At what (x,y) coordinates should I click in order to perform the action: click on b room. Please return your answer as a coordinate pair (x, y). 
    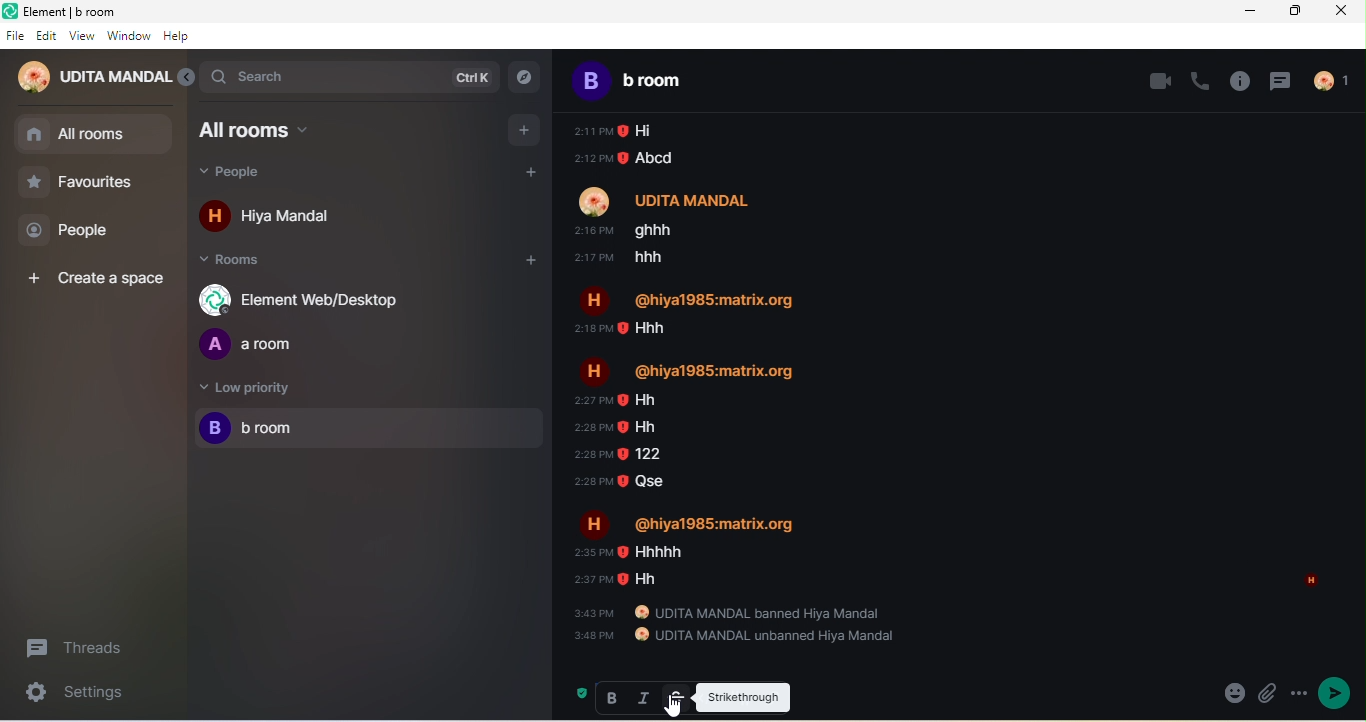
    Looking at the image, I should click on (370, 430).